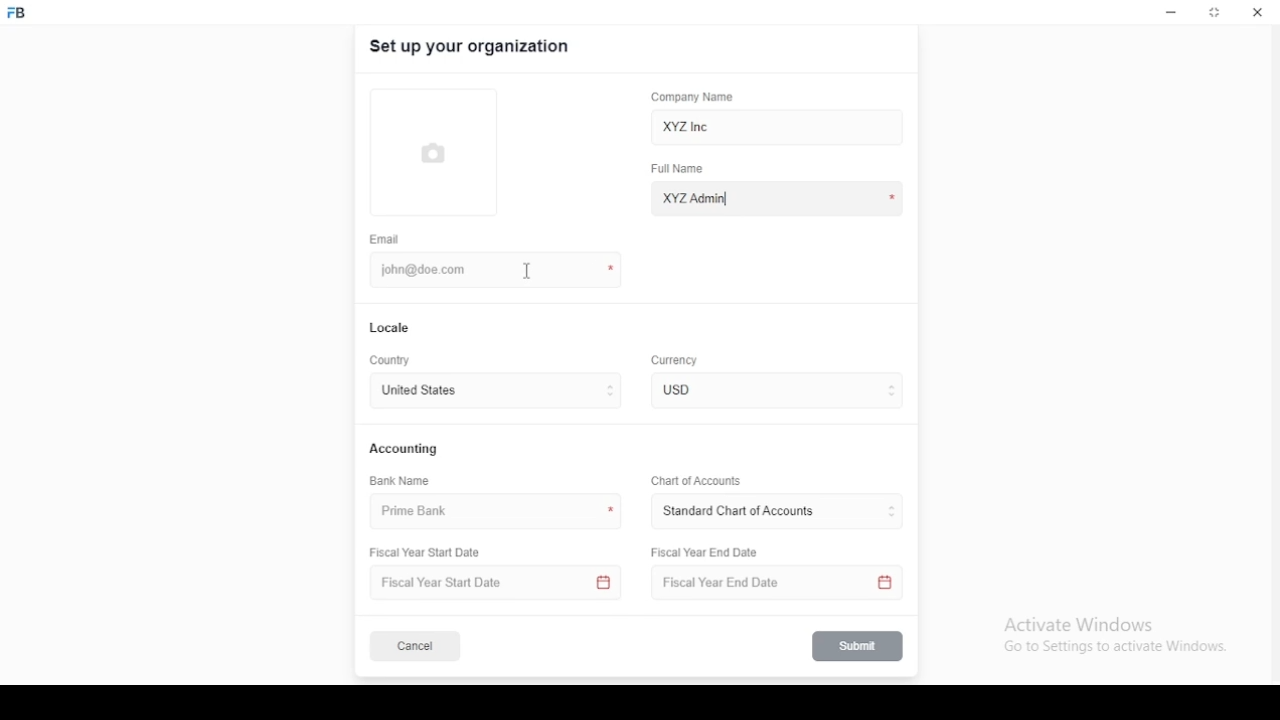 This screenshot has height=720, width=1280. Describe the element at coordinates (423, 512) in the screenshot. I see `prime bank` at that location.